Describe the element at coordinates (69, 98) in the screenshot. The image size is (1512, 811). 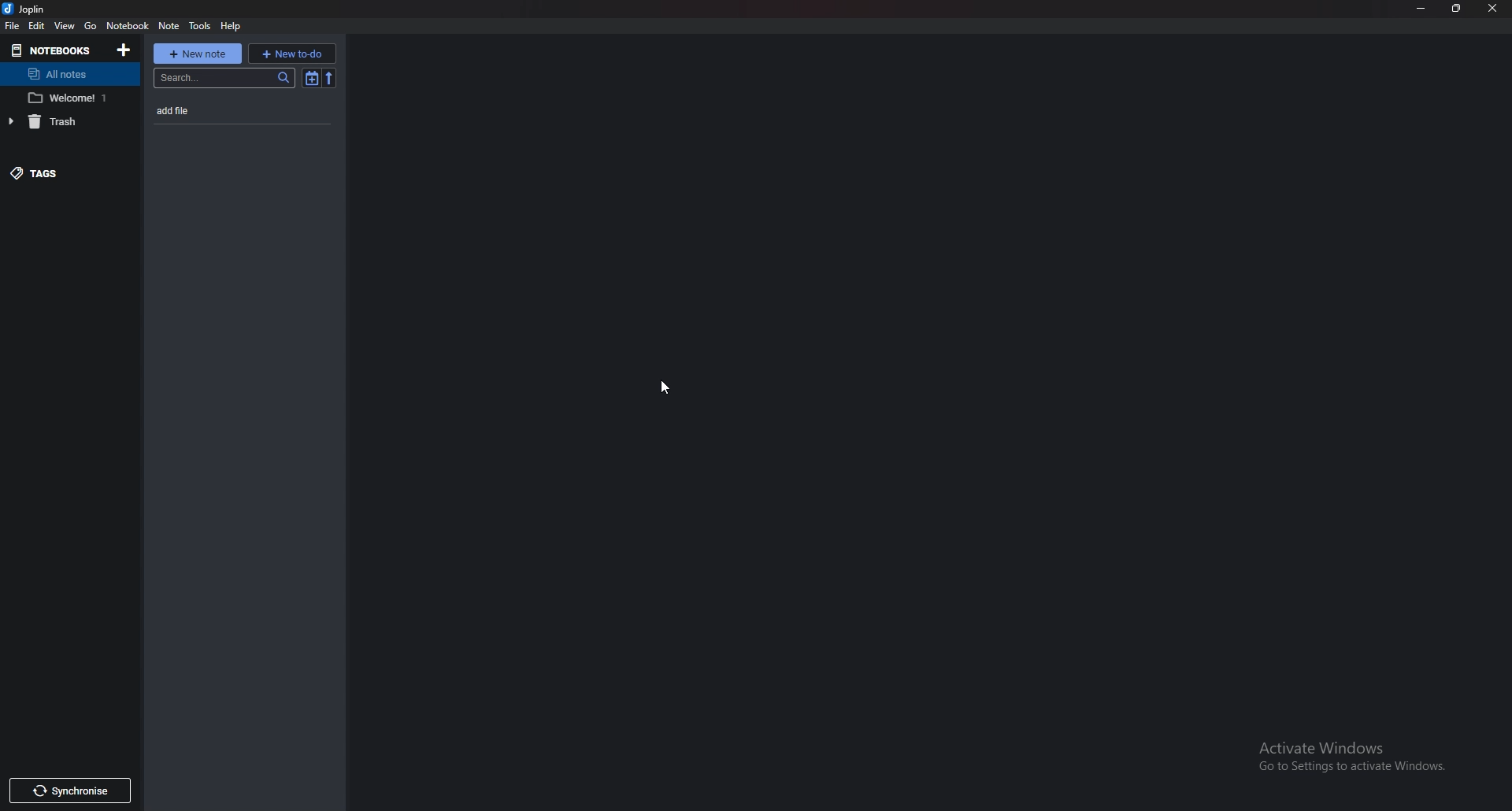
I see `welcome 1` at that location.